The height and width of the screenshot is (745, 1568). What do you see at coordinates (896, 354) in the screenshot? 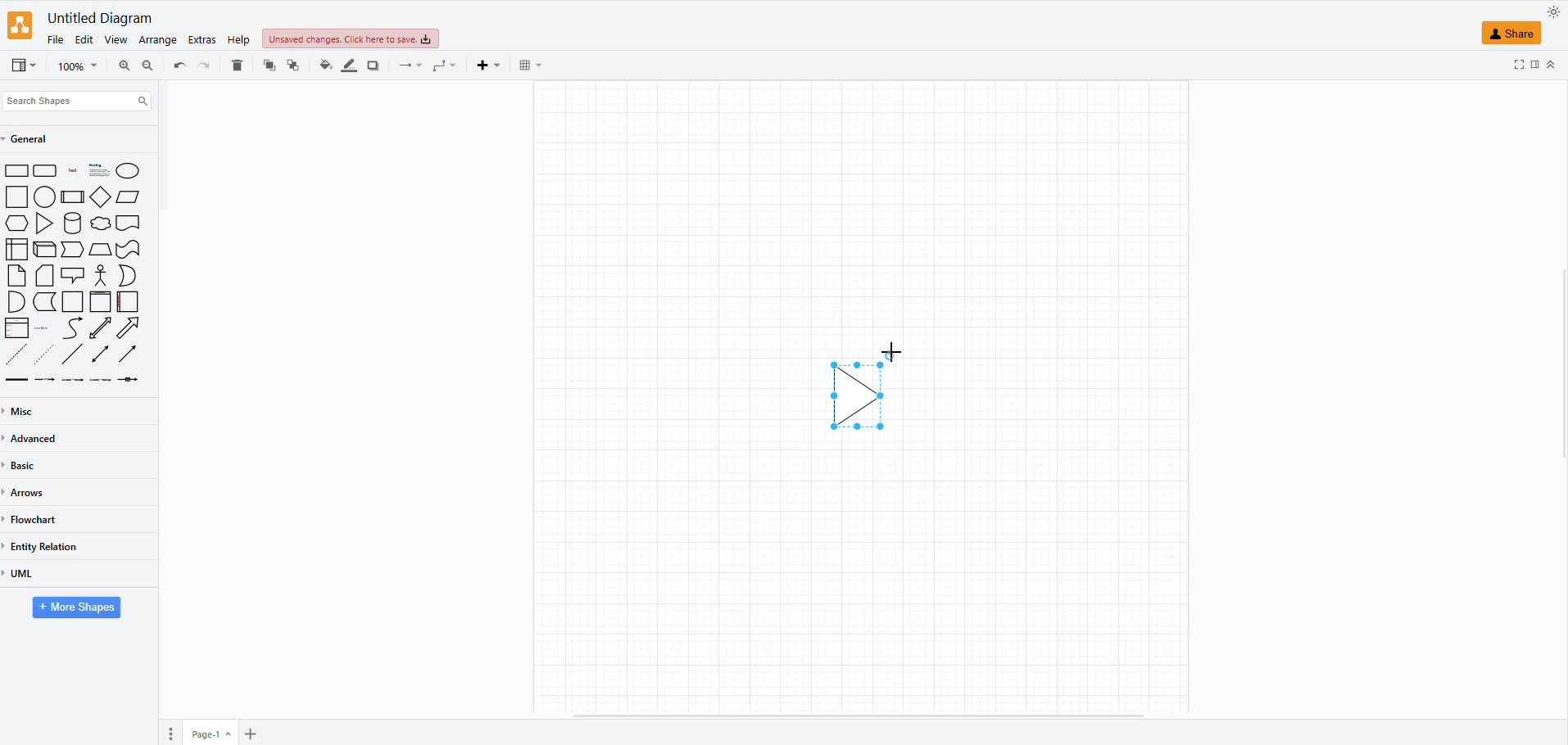
I see `Crosshair` at bounding box center [896, 354].